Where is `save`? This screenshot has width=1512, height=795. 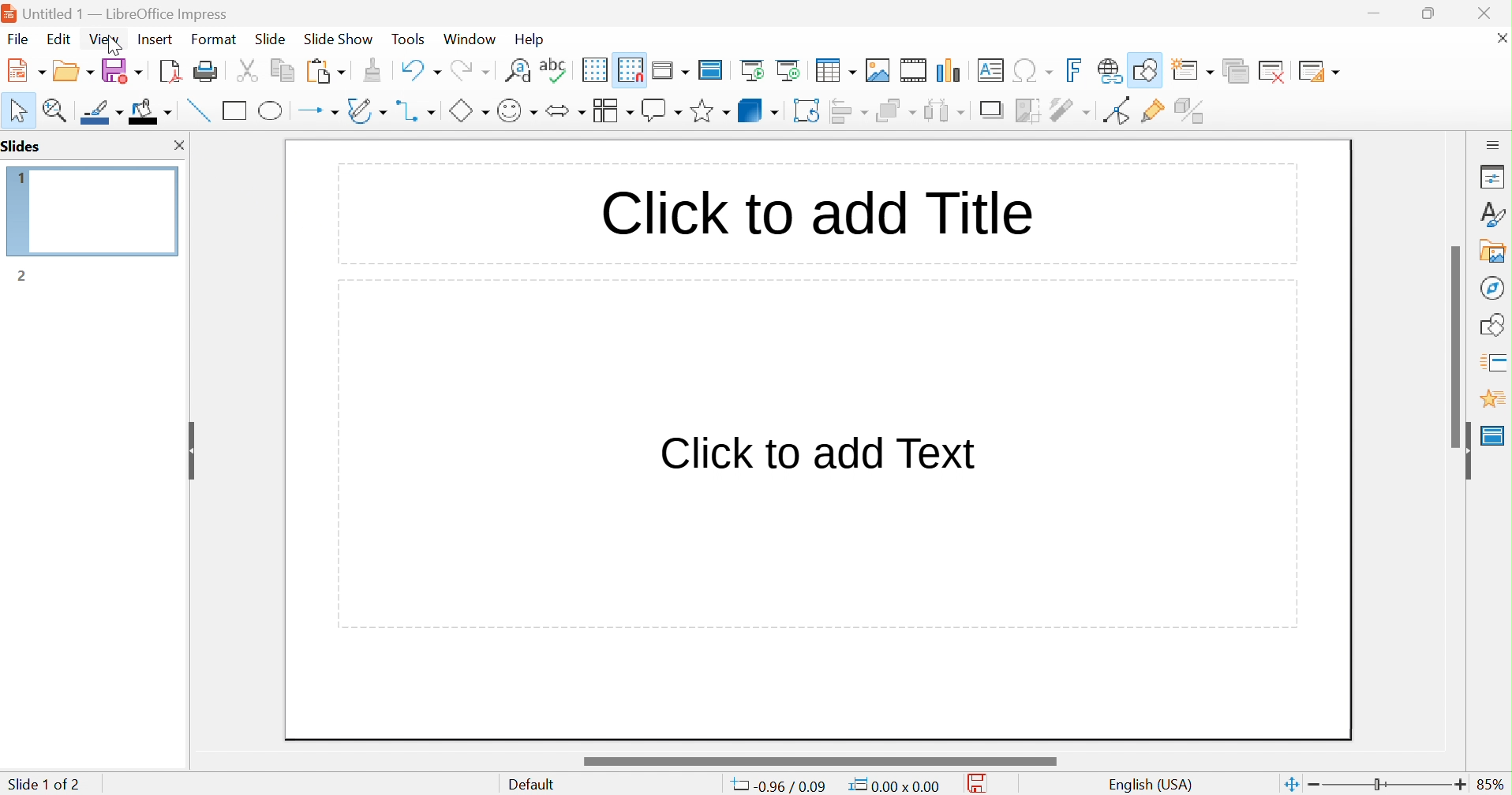
save is located at coordinates (982, 784).